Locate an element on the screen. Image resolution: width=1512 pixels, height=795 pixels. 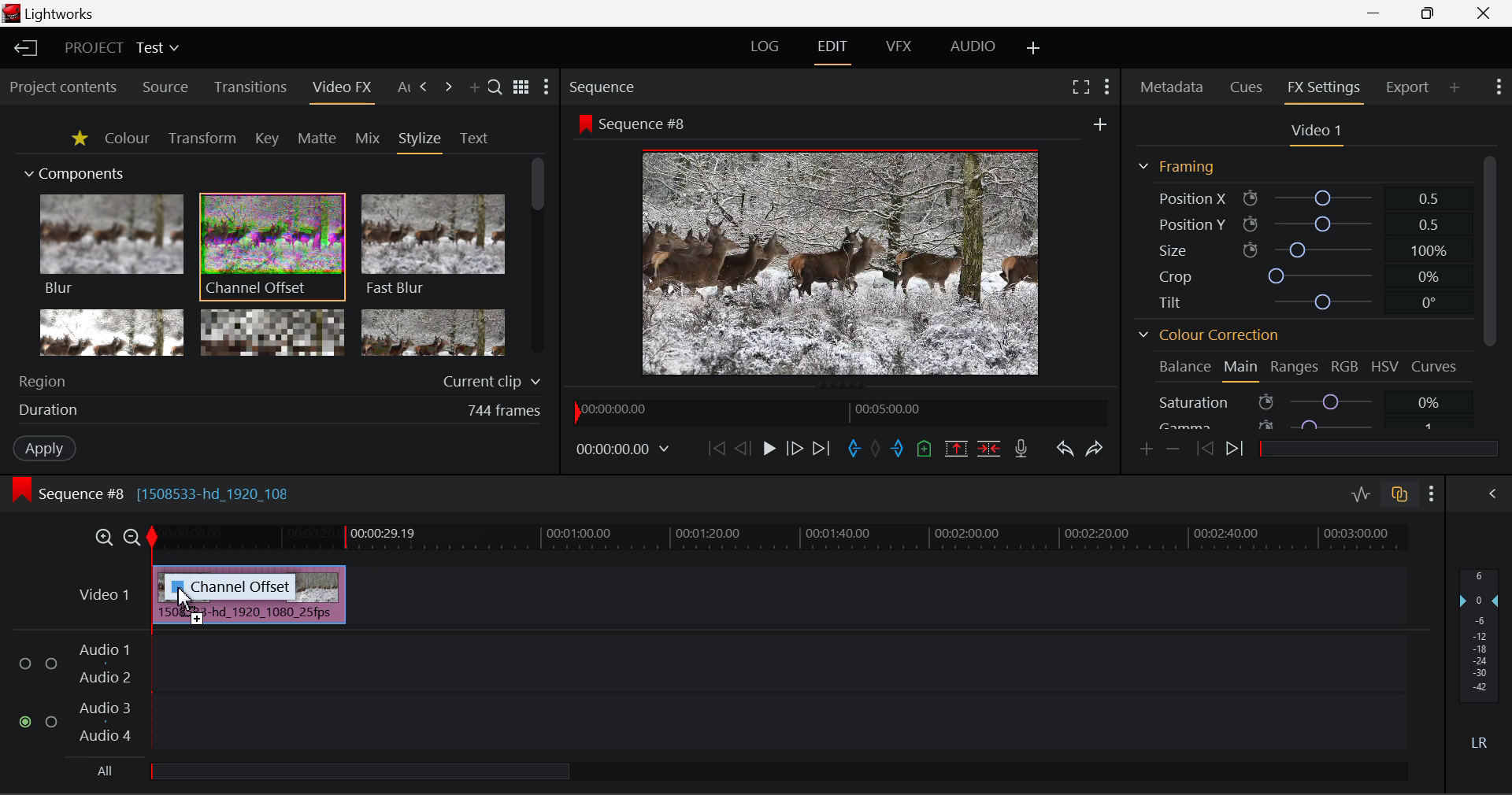
Toggle between title and list view is located at coordinates (521, 84).